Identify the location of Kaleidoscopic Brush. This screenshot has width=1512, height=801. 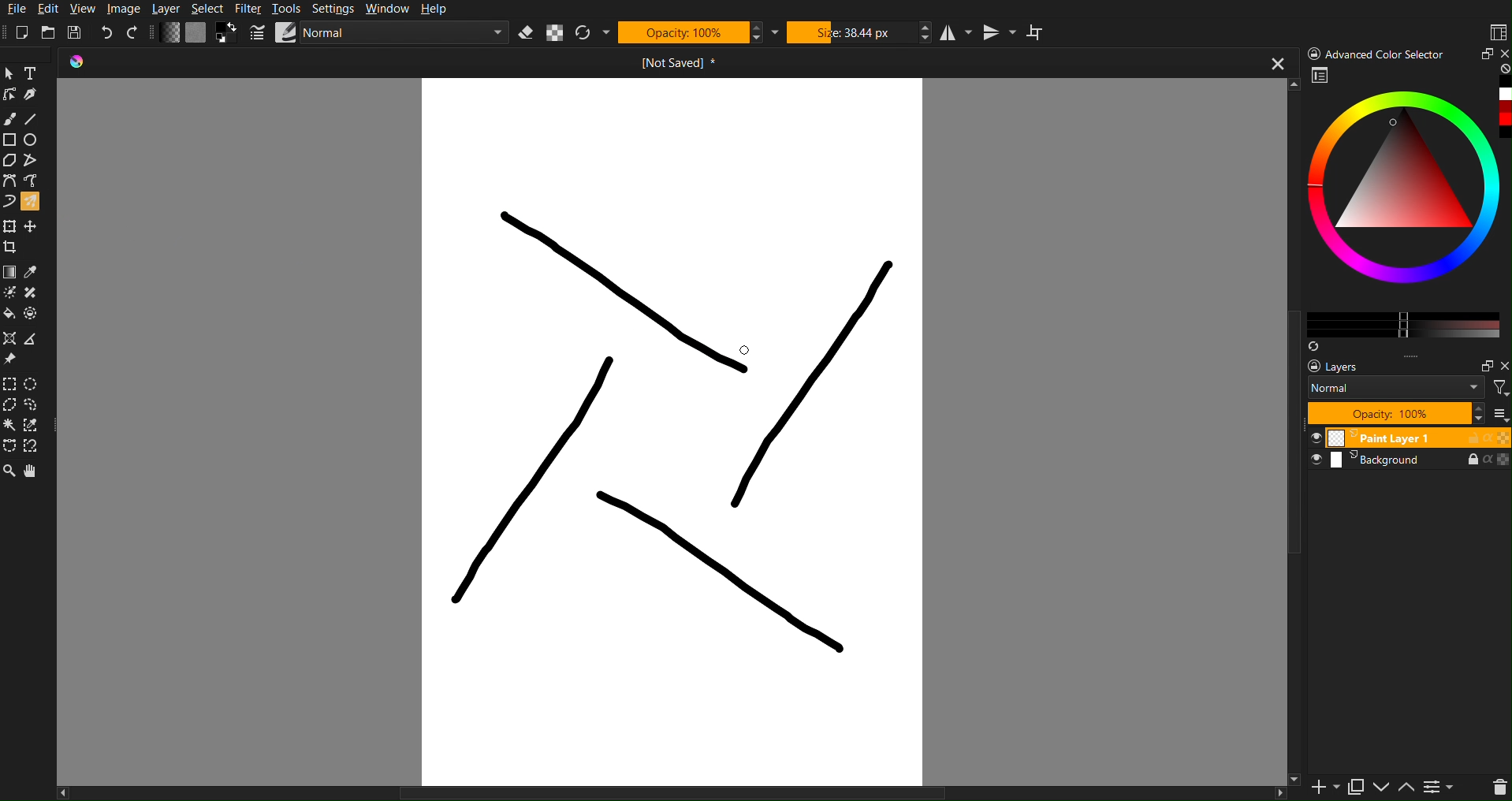
(678, 430).